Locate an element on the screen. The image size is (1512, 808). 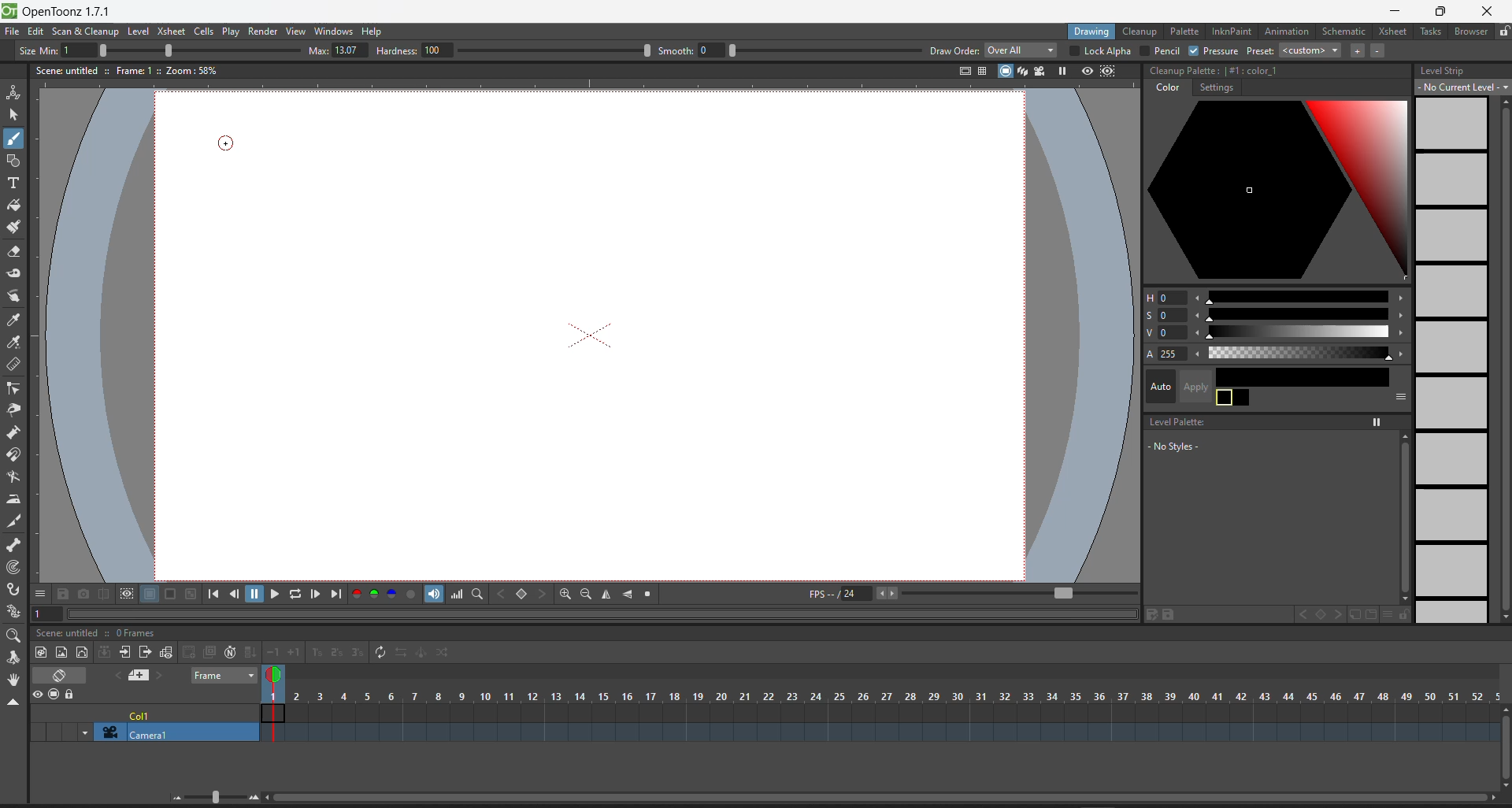
browser is located at coordinates (1471, 32).